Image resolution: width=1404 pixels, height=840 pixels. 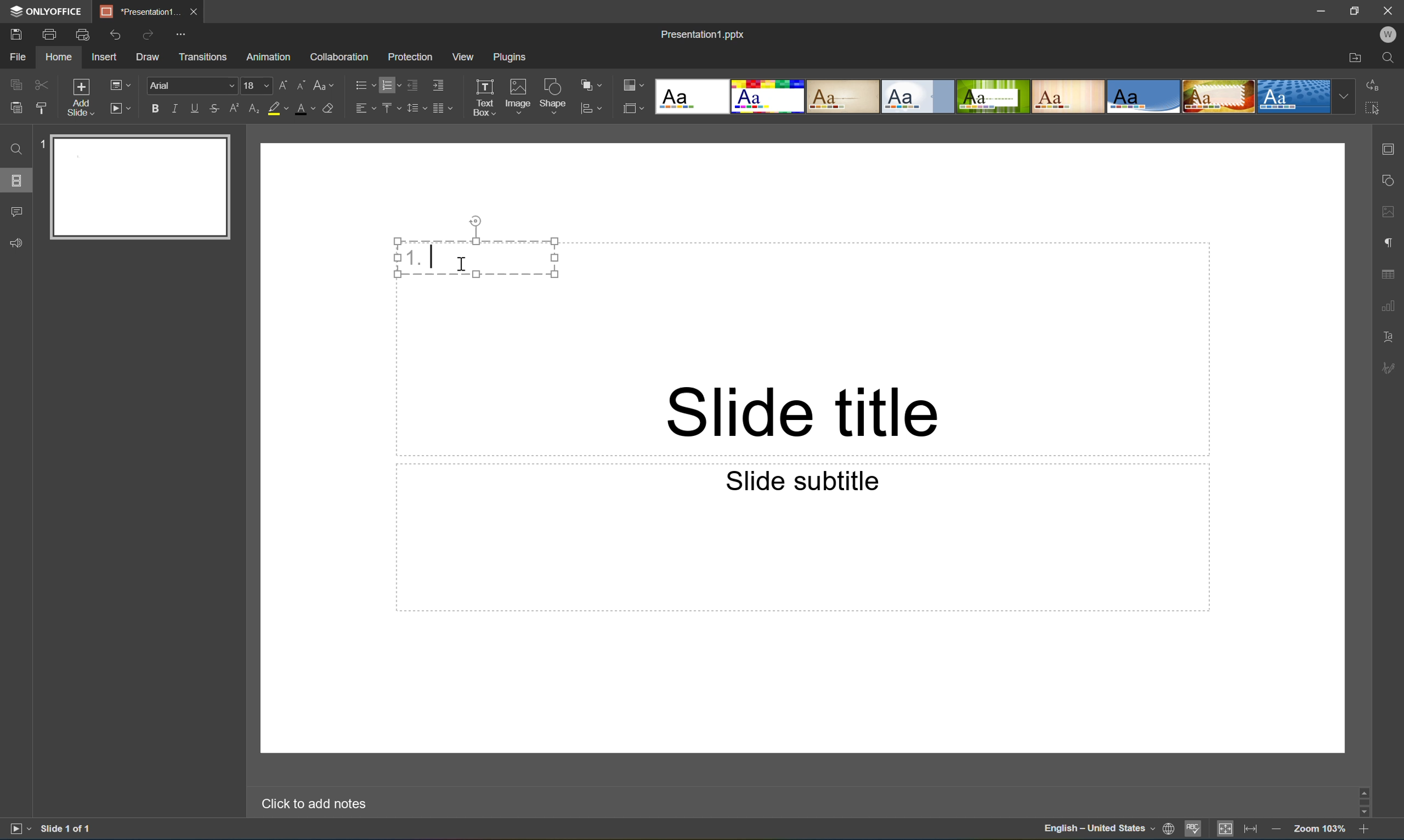 I want to click on Typing cursor, so click(x=434, y=256).